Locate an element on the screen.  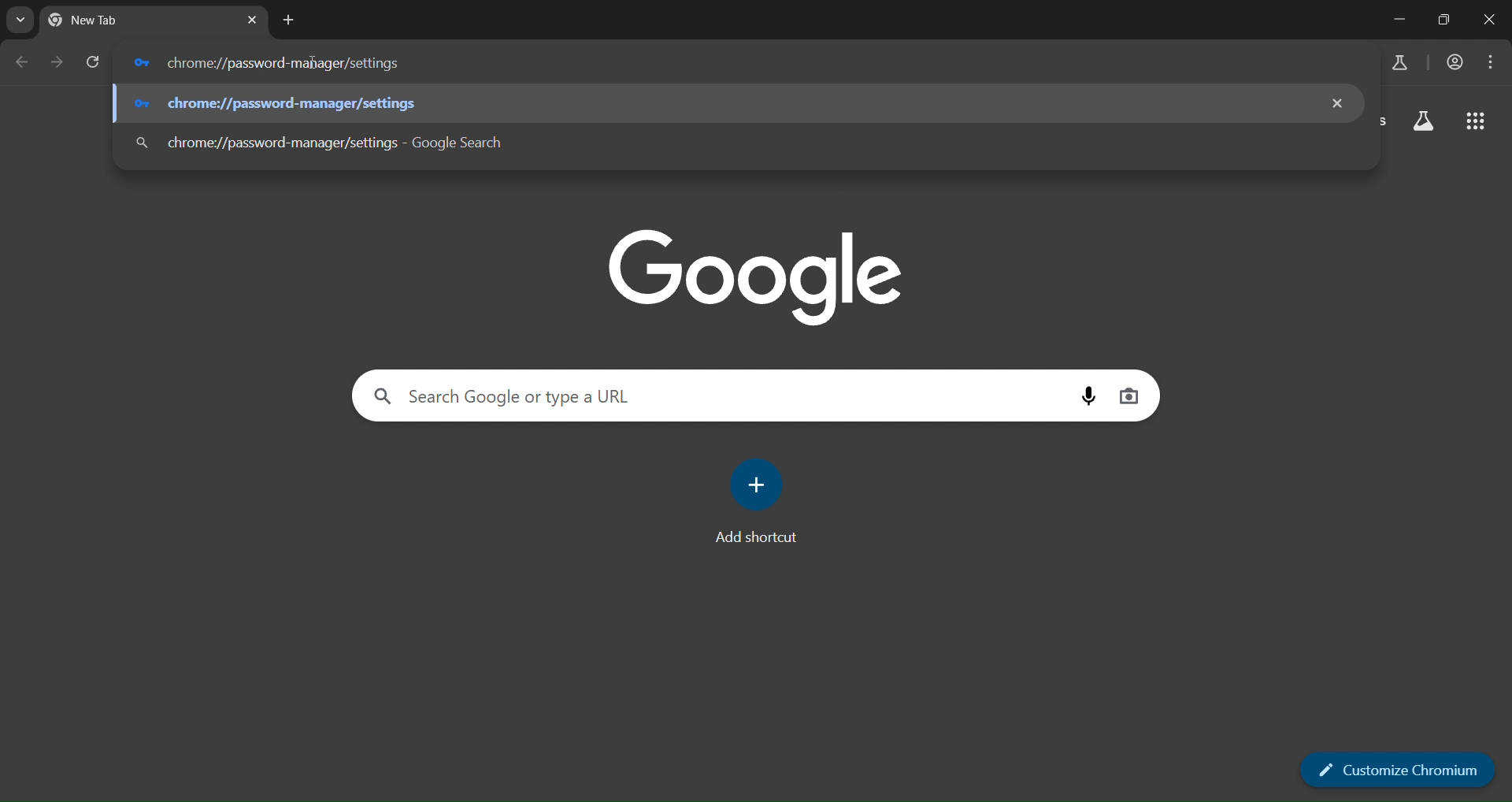
voice search is located at coordinates (1085, 395).